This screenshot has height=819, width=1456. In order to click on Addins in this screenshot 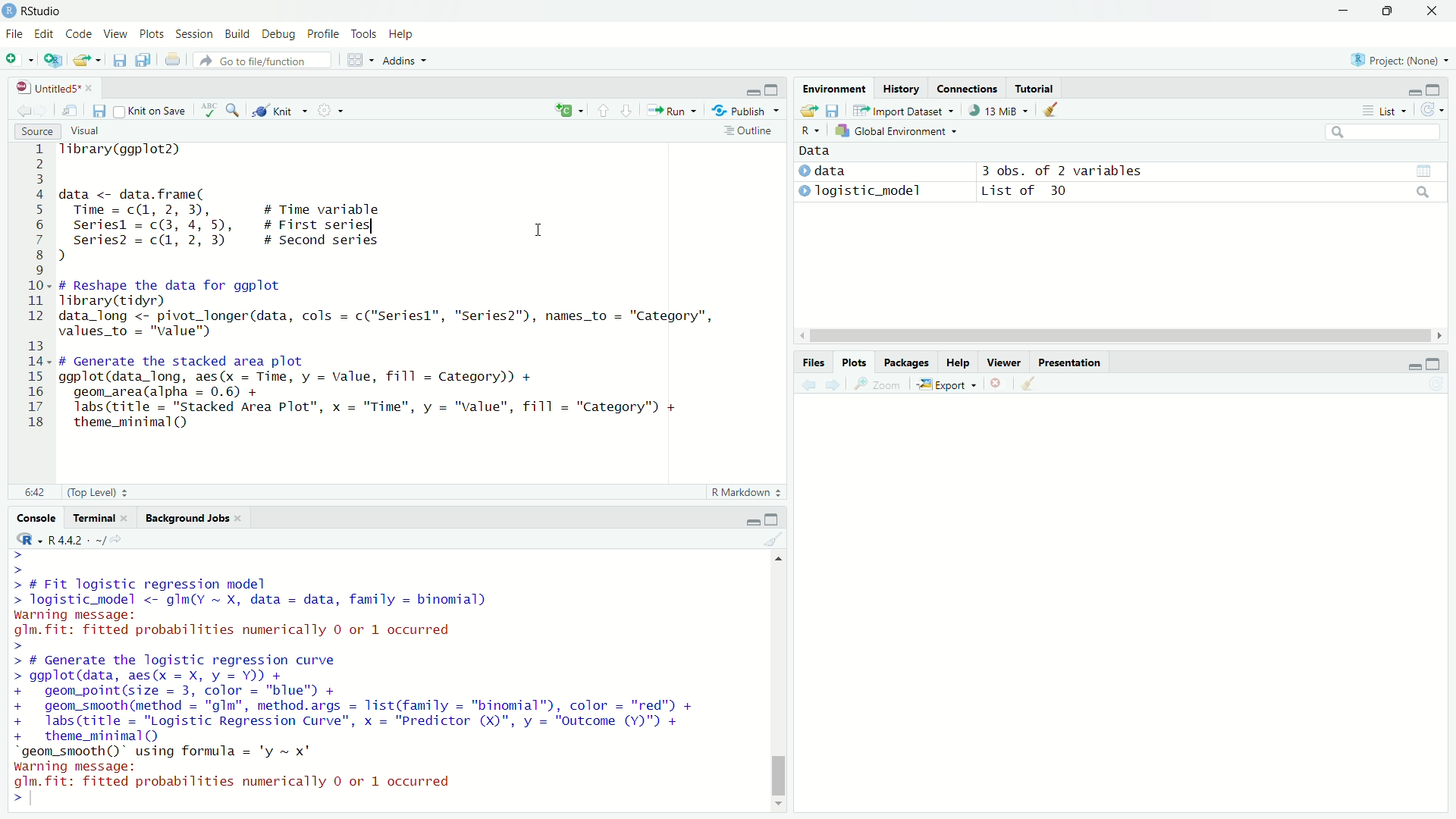, I will do `click(400, 61)`.